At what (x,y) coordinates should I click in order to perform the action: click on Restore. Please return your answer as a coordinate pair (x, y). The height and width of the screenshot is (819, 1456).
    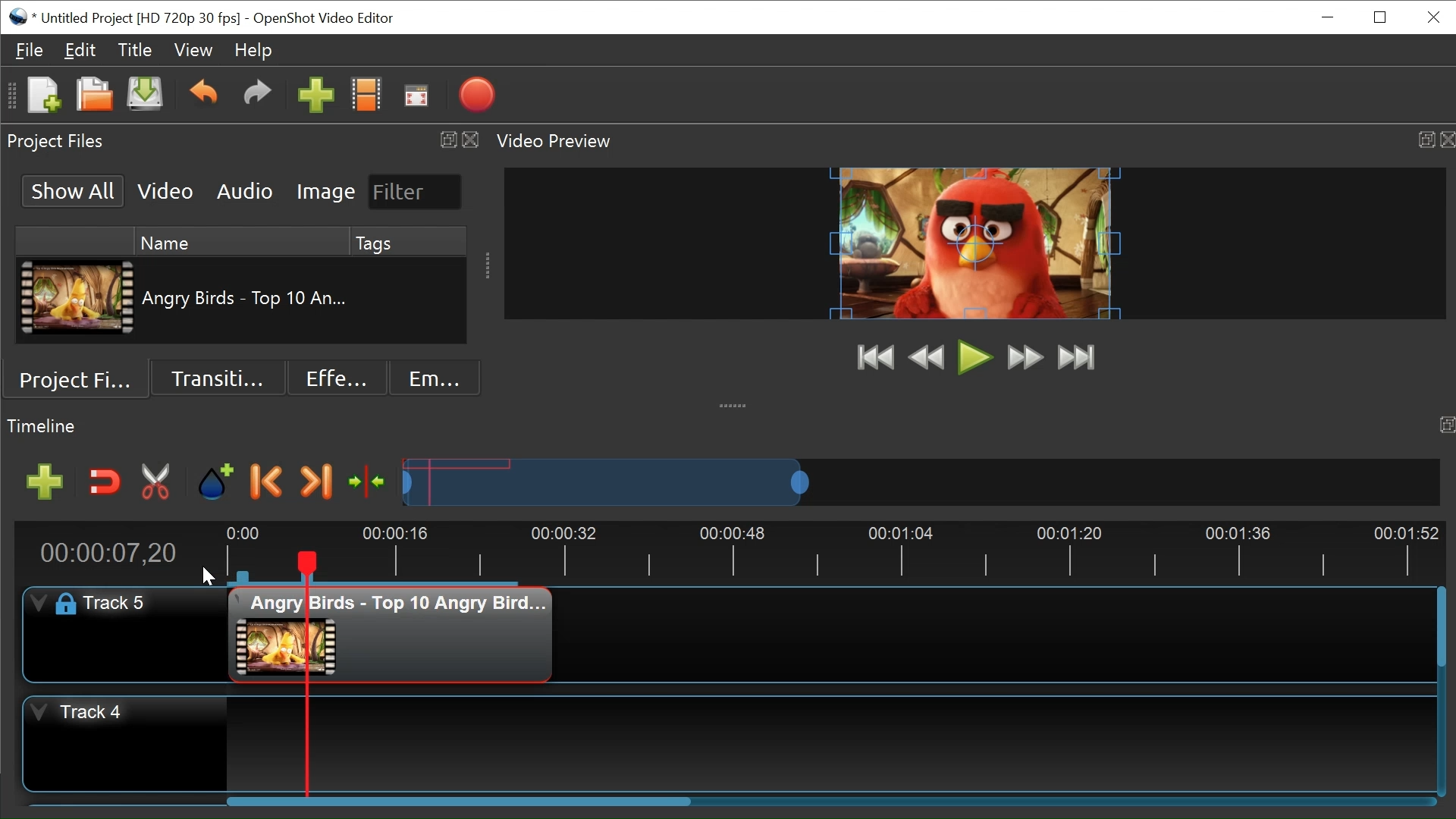
    Looking at the image, I should click on (1379, 19).